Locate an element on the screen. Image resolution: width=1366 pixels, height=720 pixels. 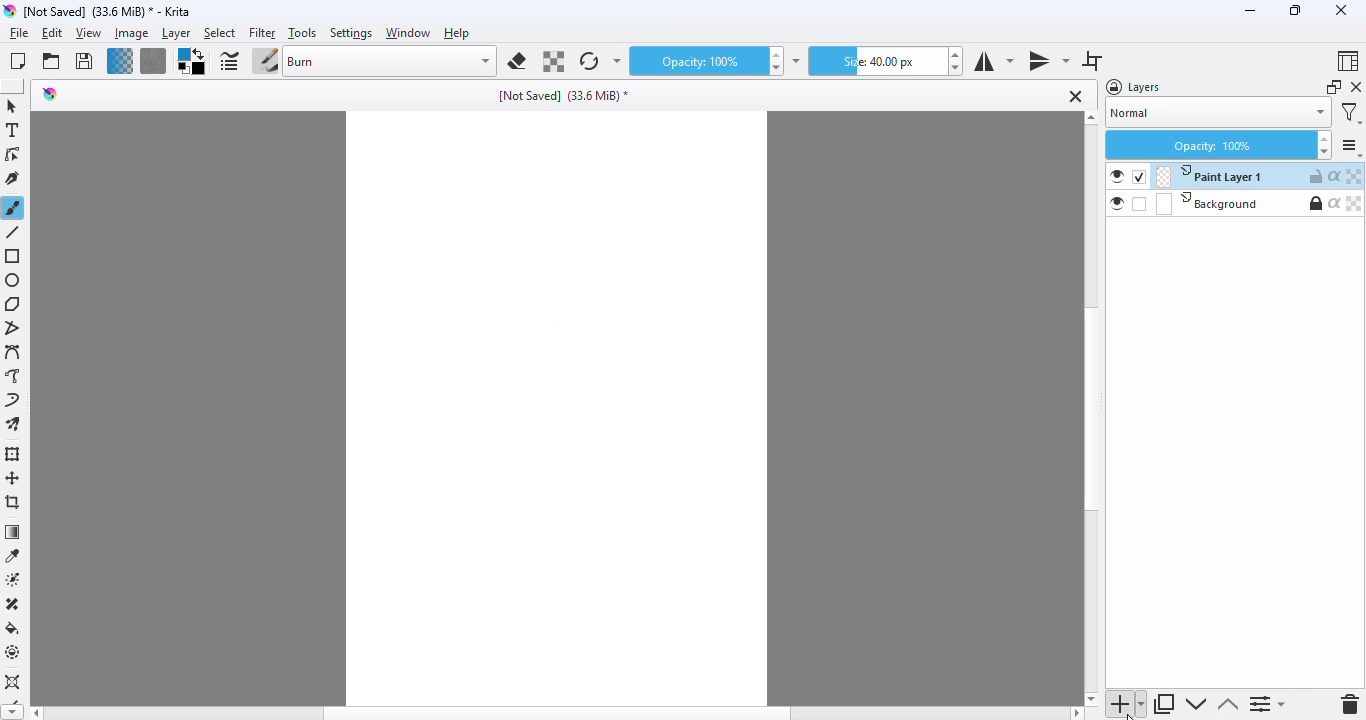
wrap around mode is located at coordinates (1092, 61).